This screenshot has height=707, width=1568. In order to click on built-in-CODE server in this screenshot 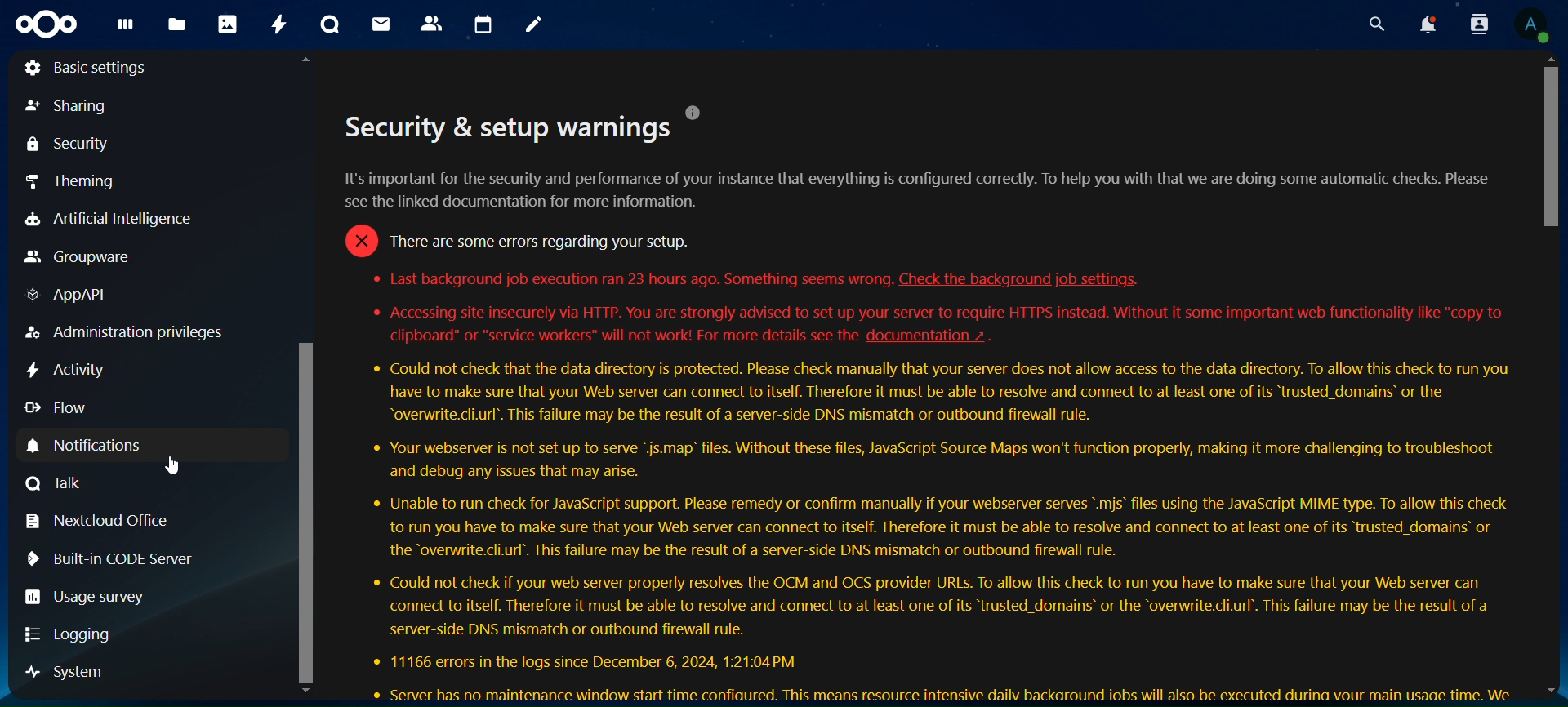, I will do `click(113, 558)`.